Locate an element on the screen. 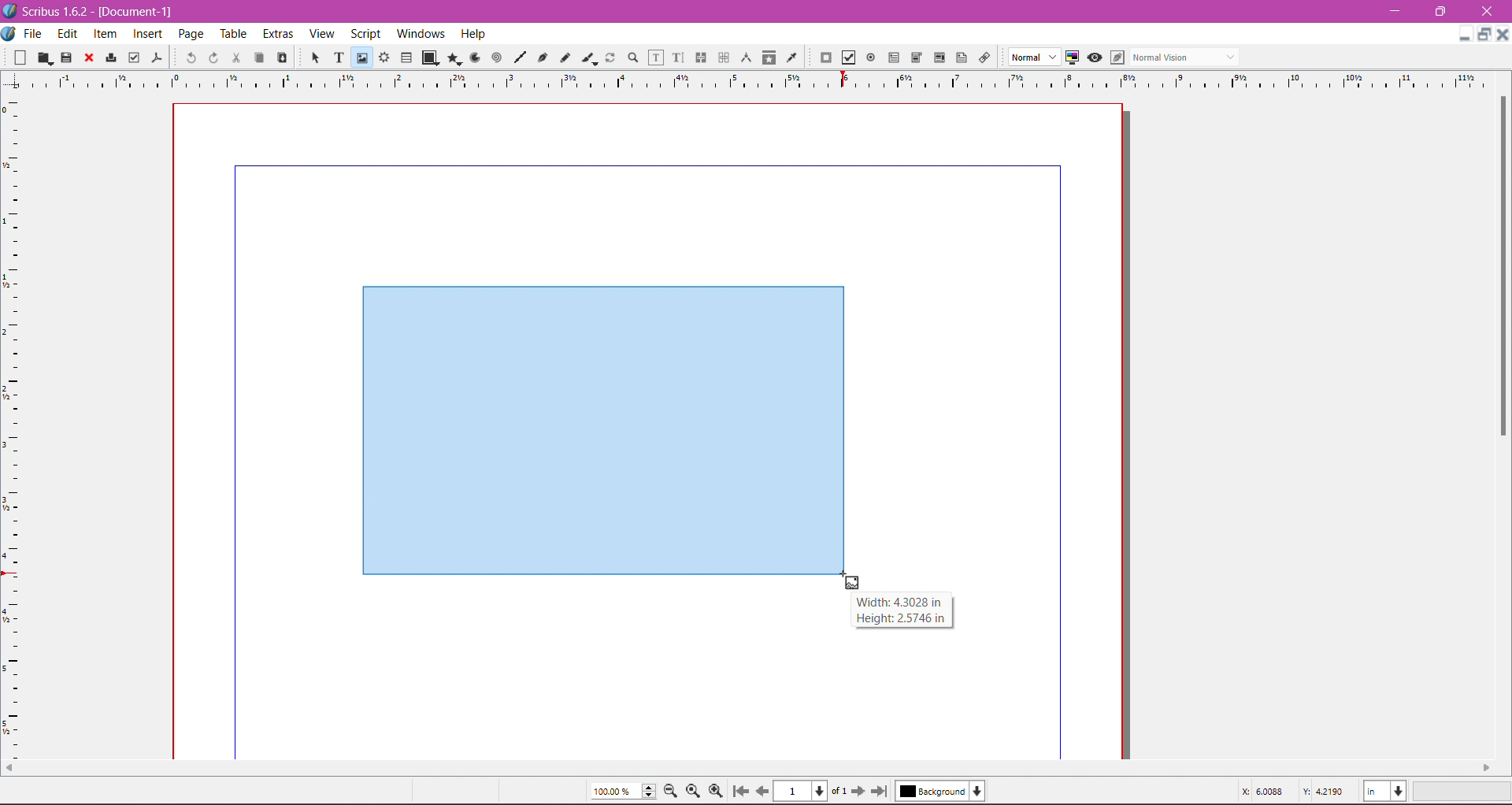 The image size is (1512, 805). File is located at coordinates (34, 34).